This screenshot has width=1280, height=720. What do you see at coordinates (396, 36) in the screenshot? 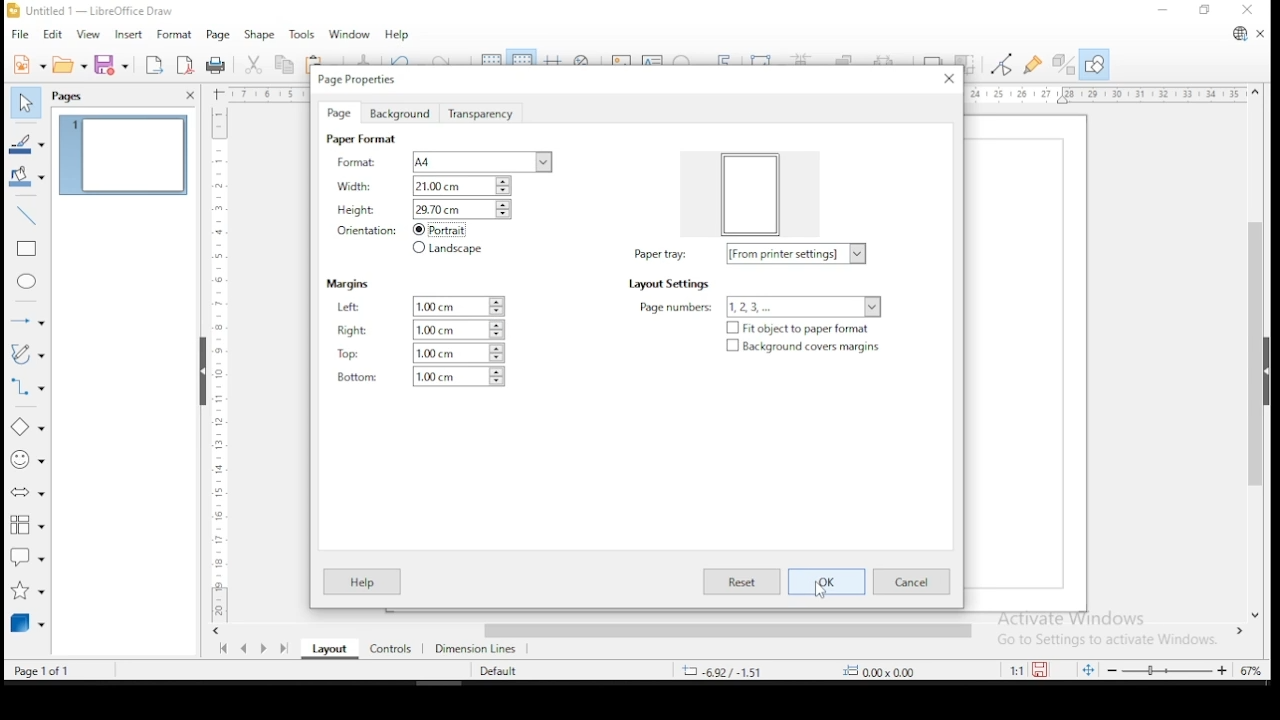
I see `help` at bounding box center [396, 36].